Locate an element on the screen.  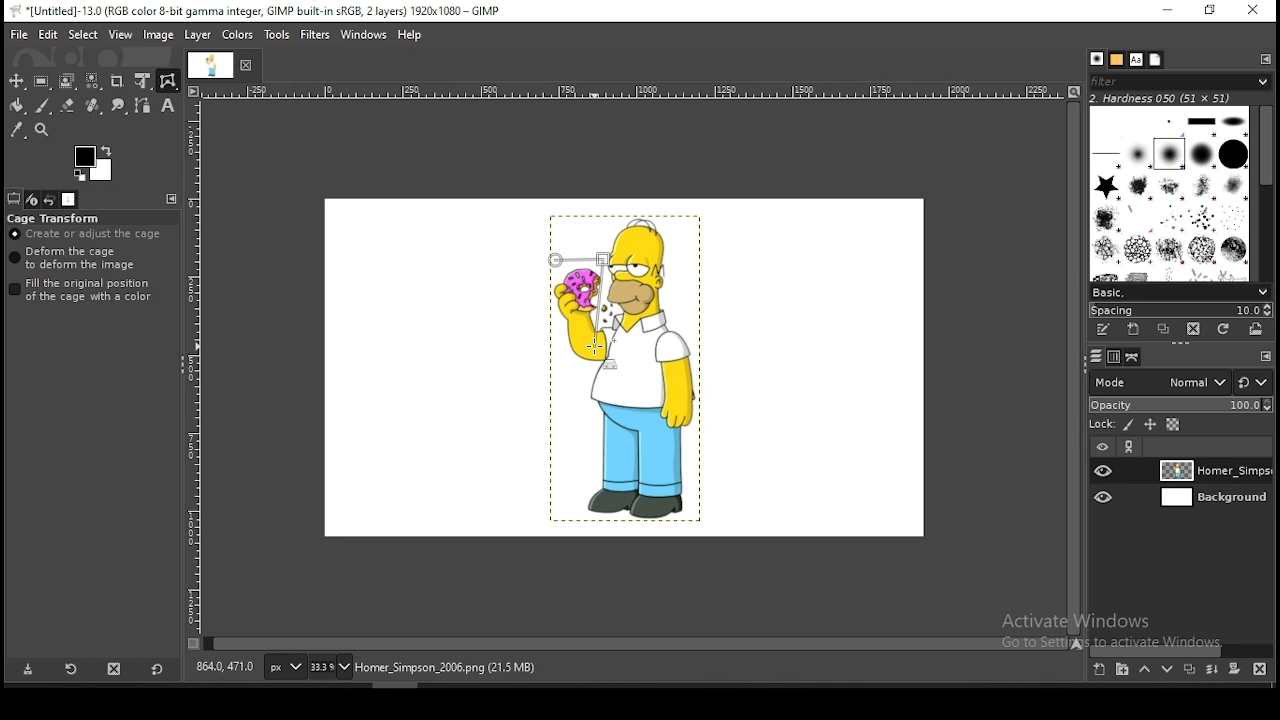
paint bucket tool is located at coordinates (17, 105).